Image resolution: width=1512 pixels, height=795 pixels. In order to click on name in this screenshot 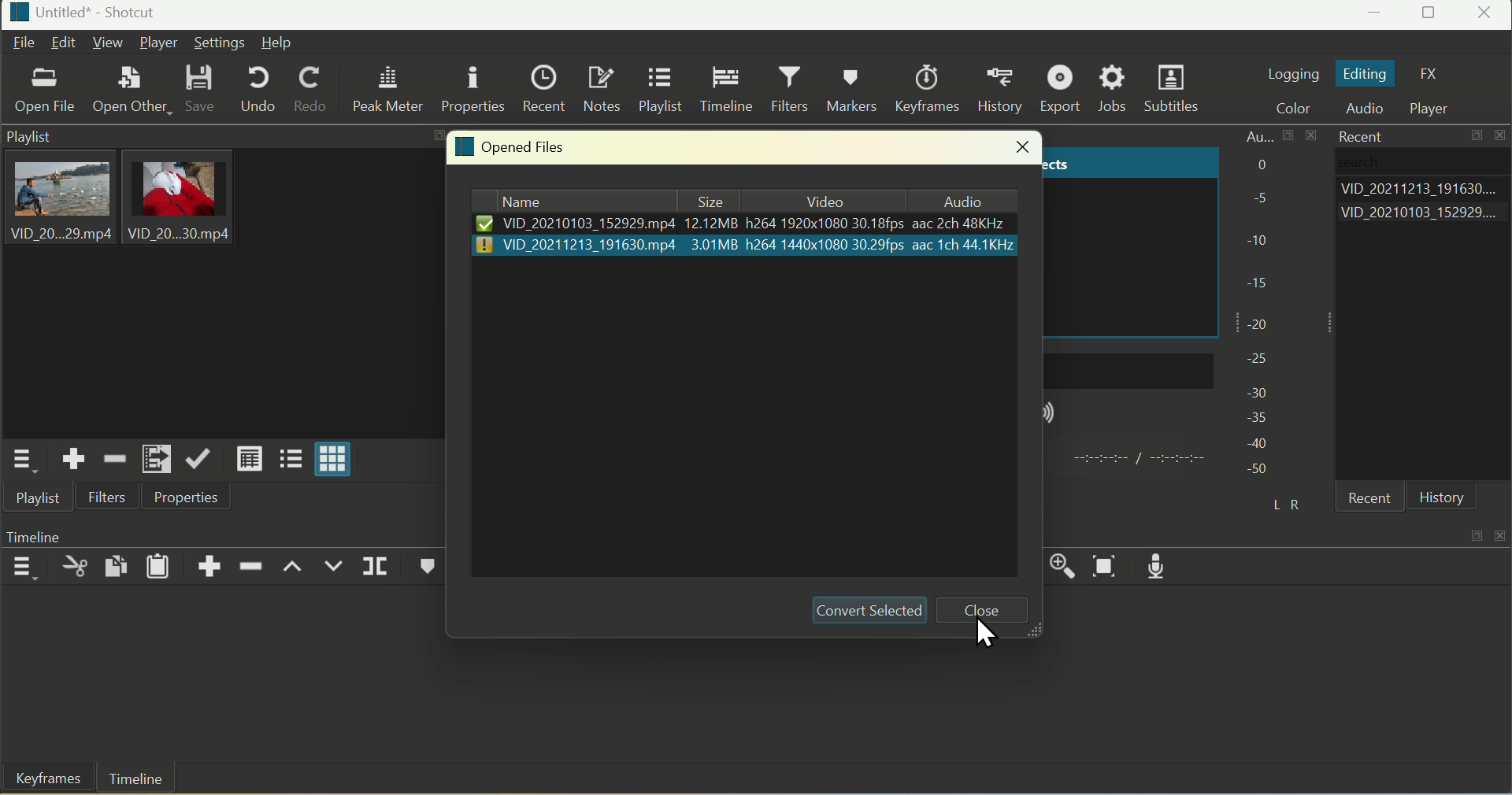, I will do `click(576, 201)`.